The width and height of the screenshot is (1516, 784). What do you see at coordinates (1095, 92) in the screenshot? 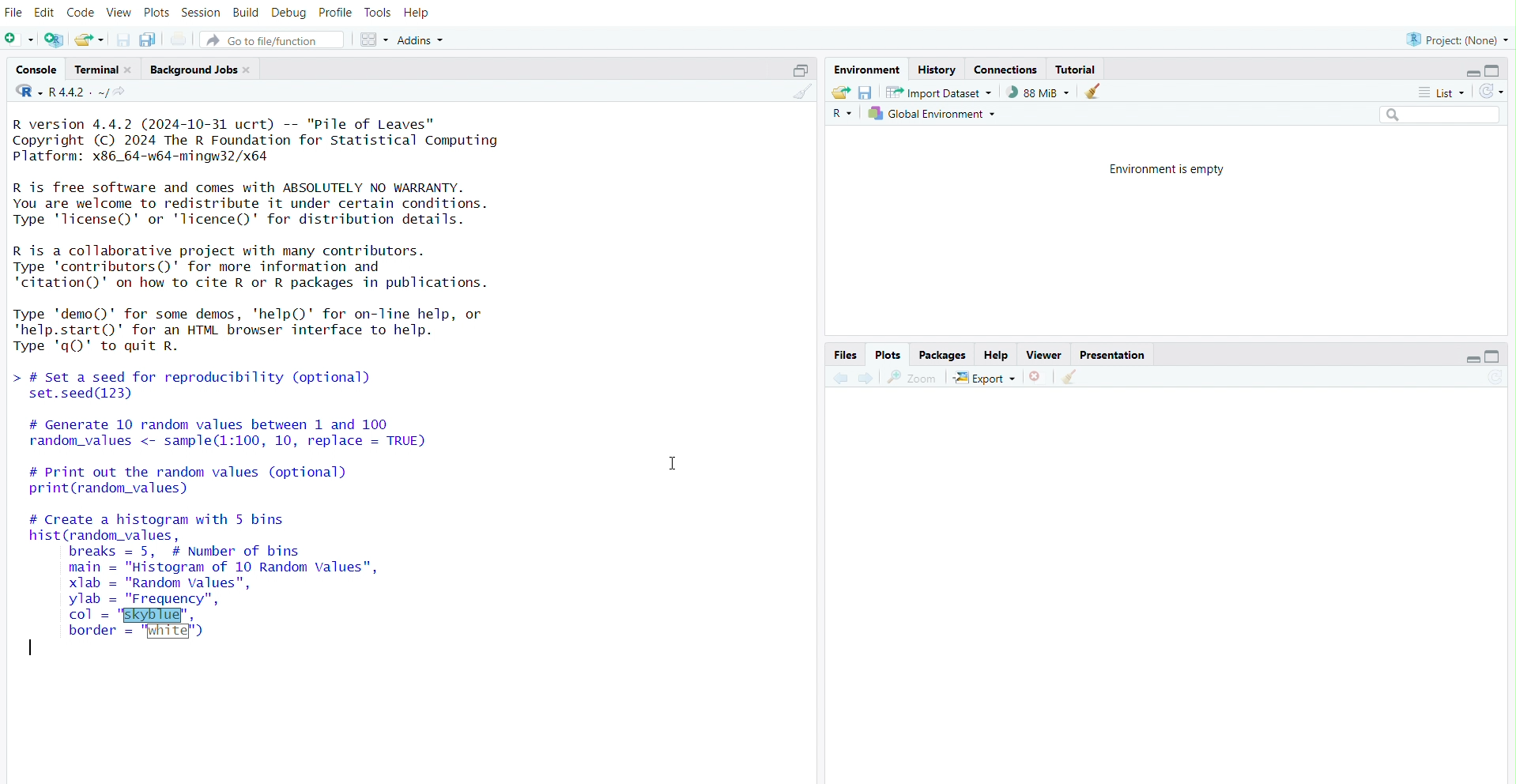
I see `clear objects from the workspace` at bounding box center [1095, 92].